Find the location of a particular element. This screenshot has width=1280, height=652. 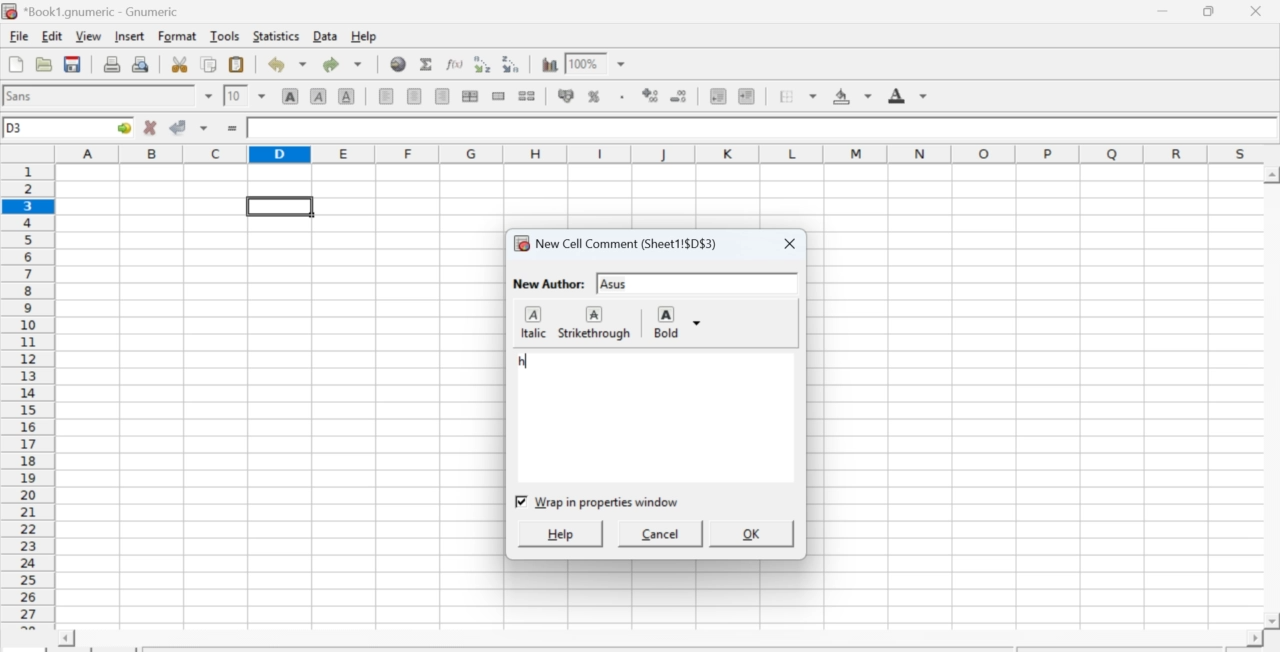

Statistics is located at coordinates (278, 36).